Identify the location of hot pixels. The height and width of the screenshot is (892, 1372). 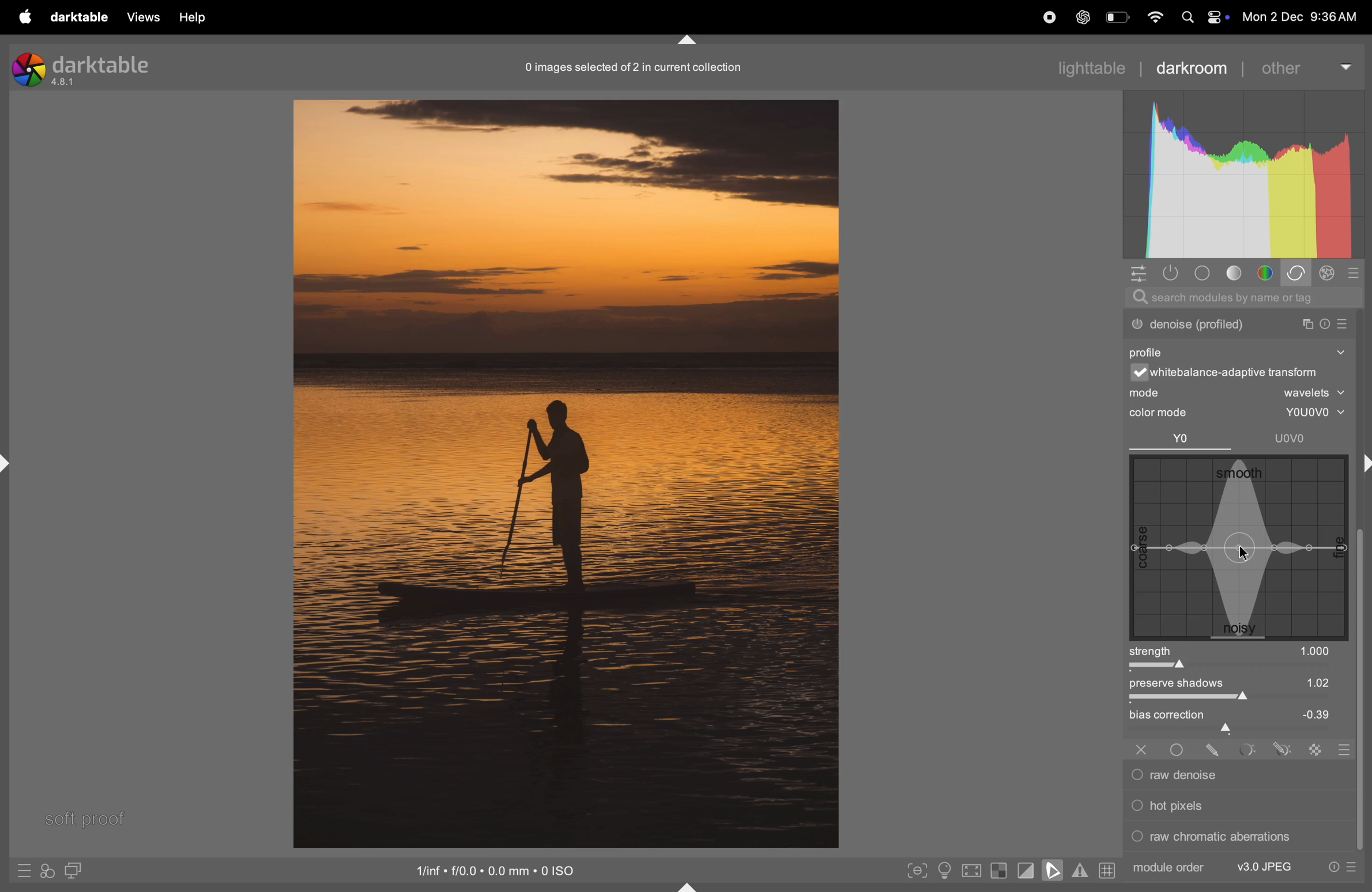
(1235, 804).